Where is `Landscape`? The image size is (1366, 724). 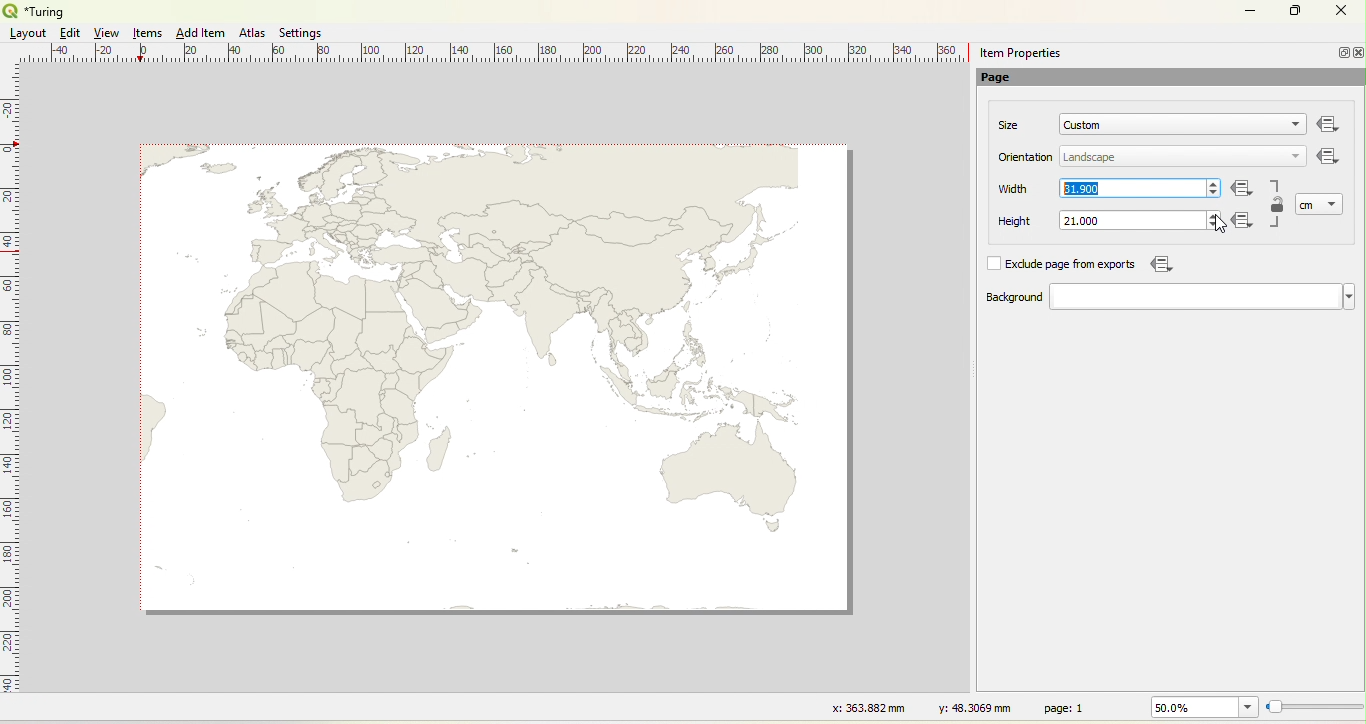
Landscape is located at coordinates (1090, 158).